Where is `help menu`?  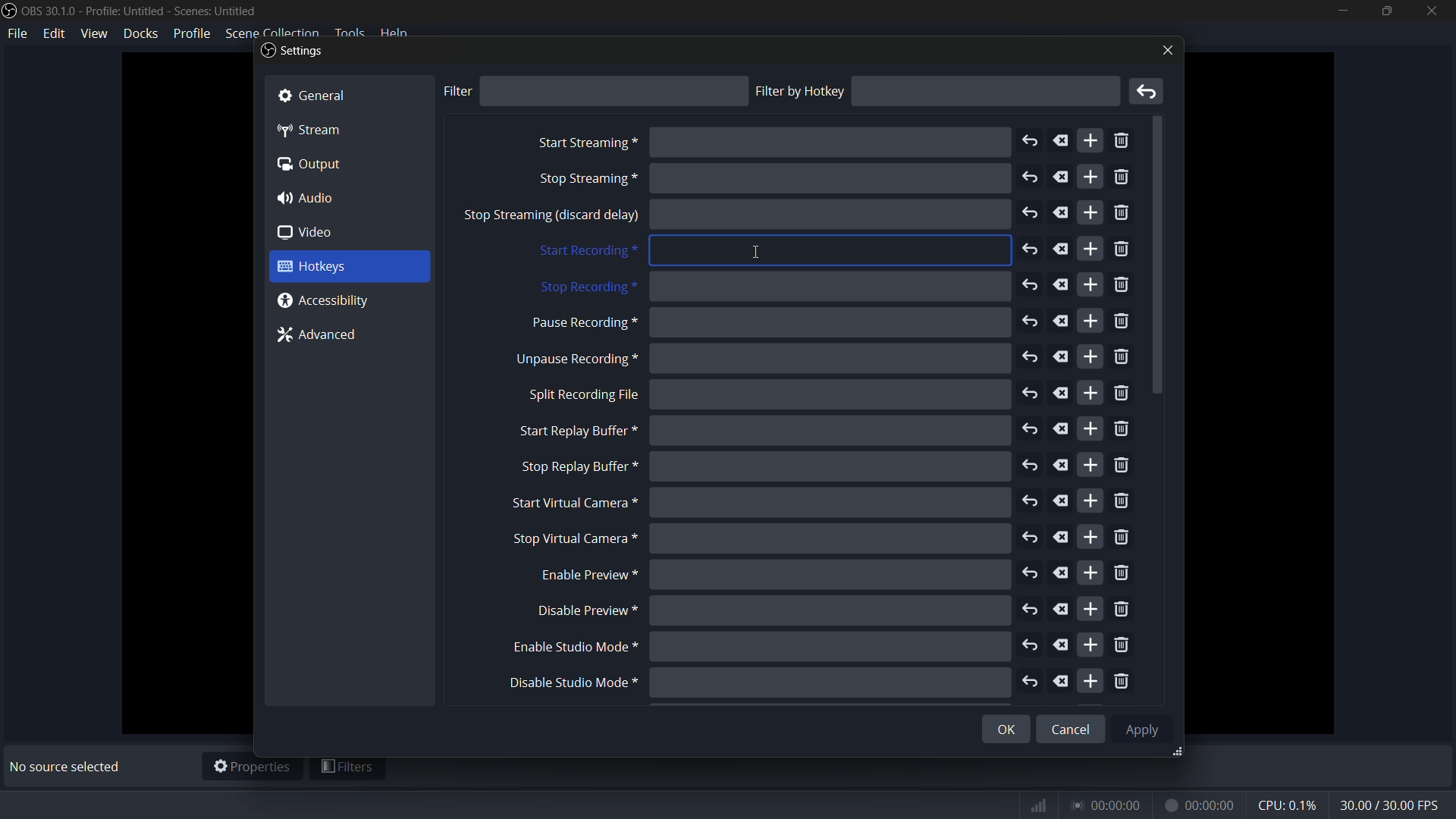 help menu is located at coordinates (396, 33).